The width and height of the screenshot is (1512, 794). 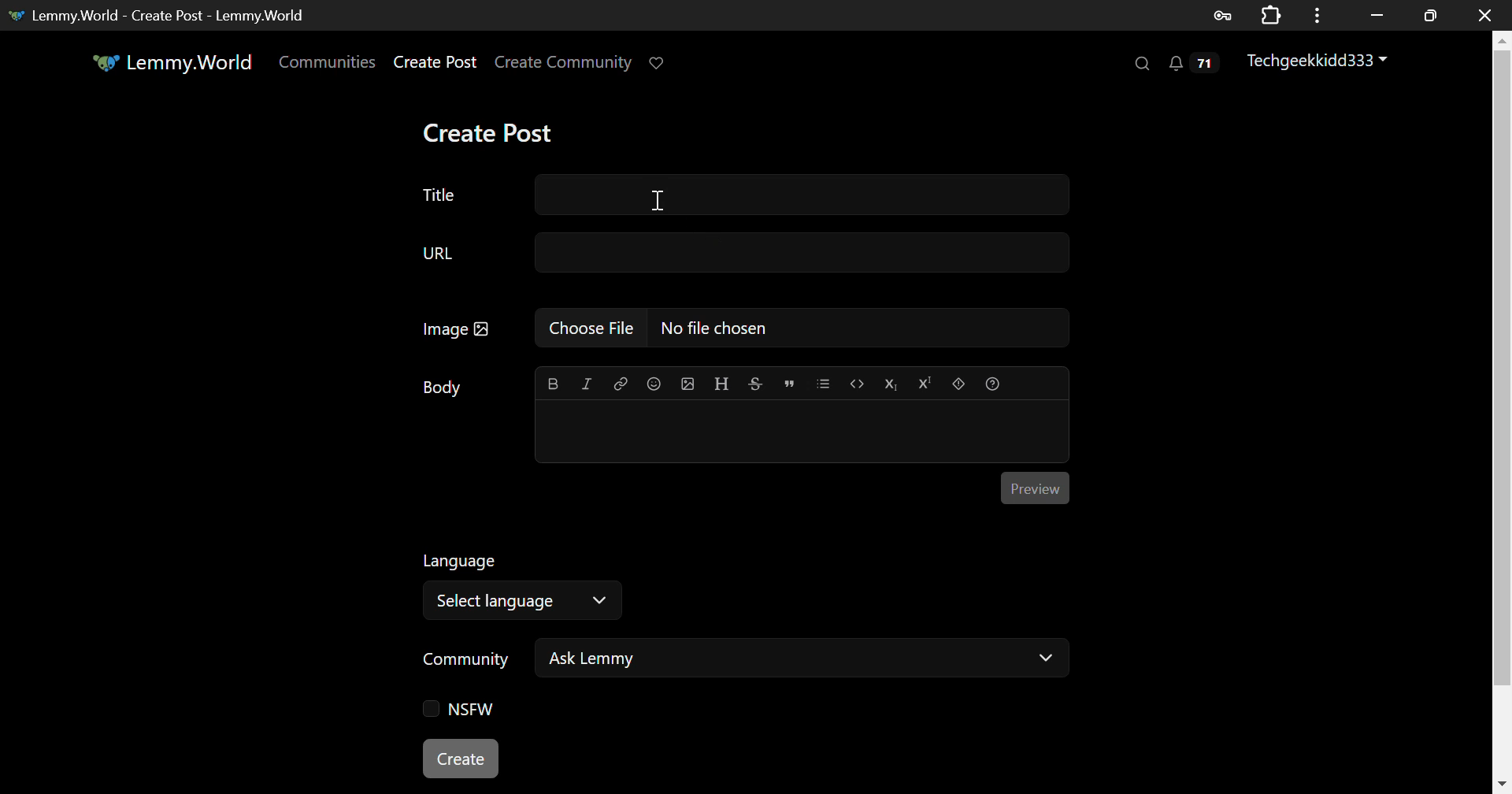 I want to click on Search, so click(x=1140, y=62).